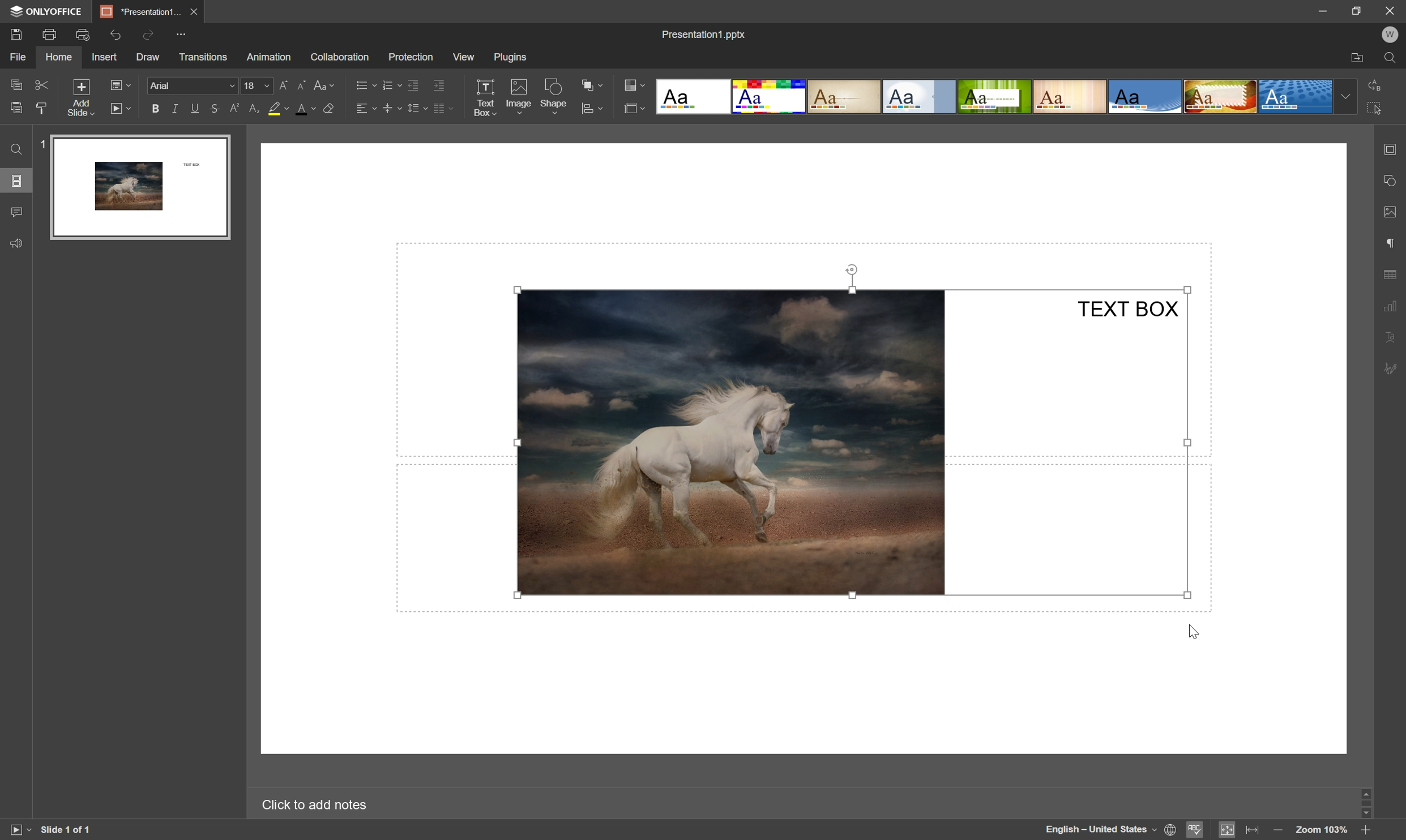 The image size is (1406, 840). What do you see at coordinates (254, 108) in the screenshot?
I see `subscript` at bounding box center [254, 108].